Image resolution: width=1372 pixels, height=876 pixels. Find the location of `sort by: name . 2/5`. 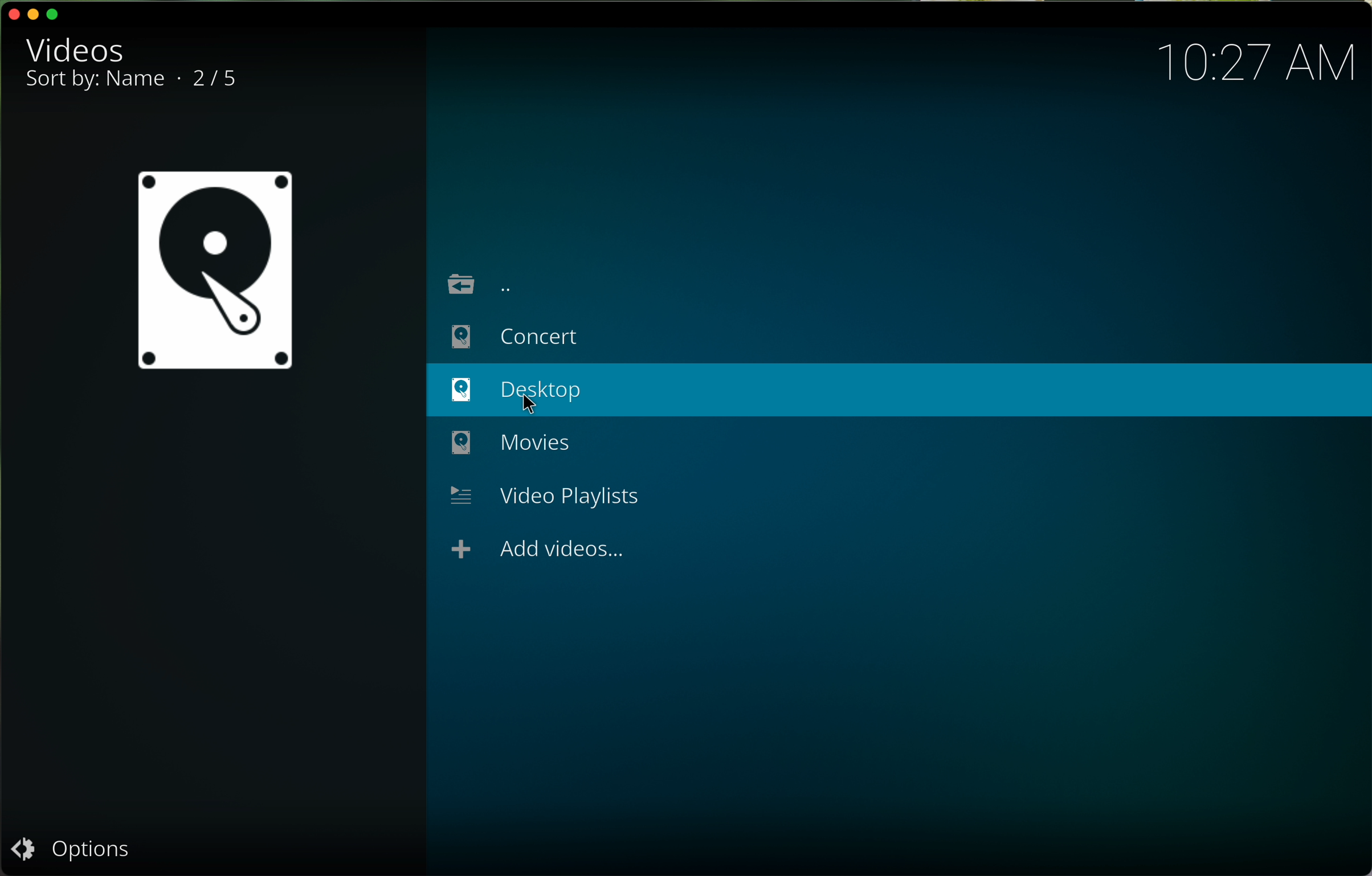

sort by: name . 2/5 is located at coordinates (126, 83).